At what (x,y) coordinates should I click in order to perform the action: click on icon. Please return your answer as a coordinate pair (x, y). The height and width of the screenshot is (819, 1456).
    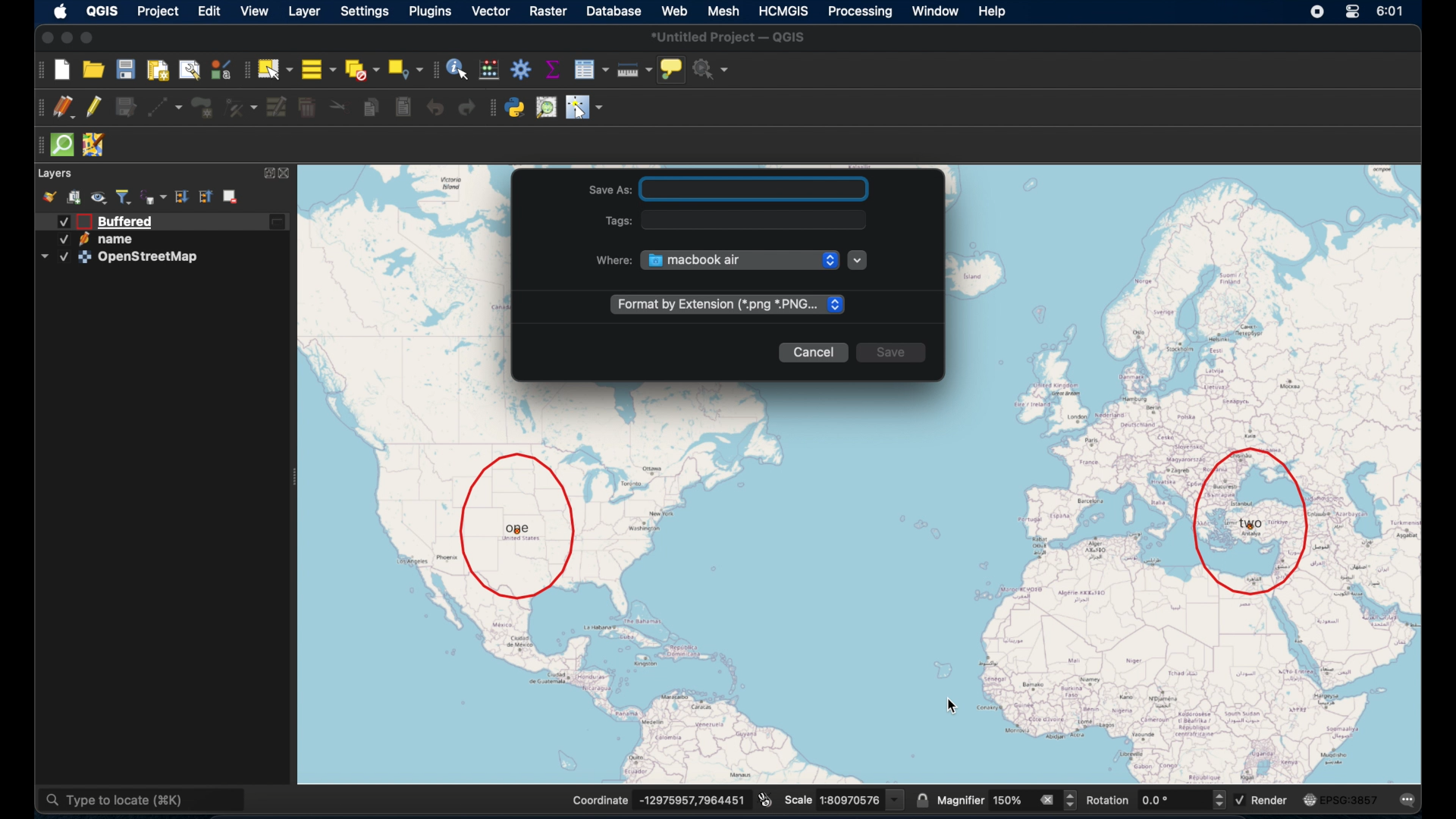
    Looking at the image, I should click on (83, 221).